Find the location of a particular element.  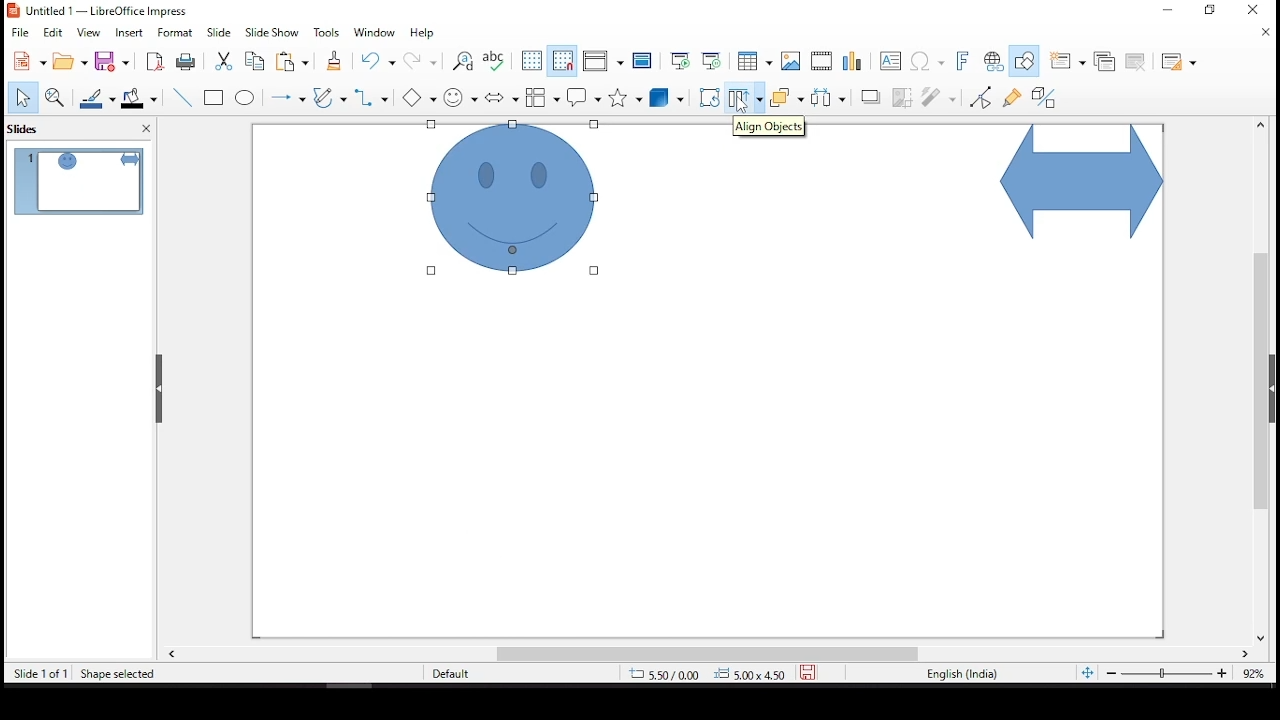

line is located at coordinates (183, 98).